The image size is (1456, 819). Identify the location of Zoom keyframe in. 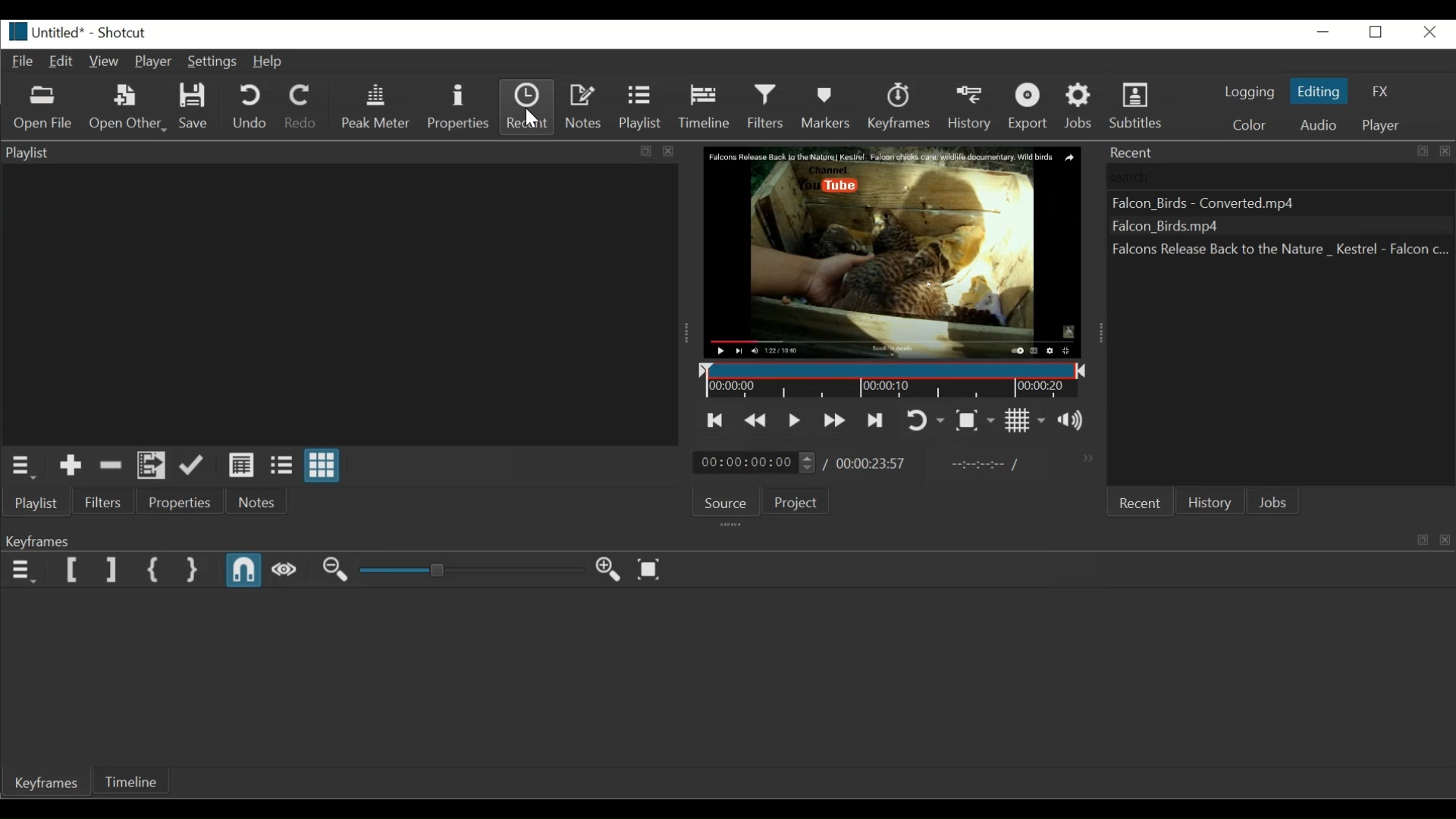
(611, 570).